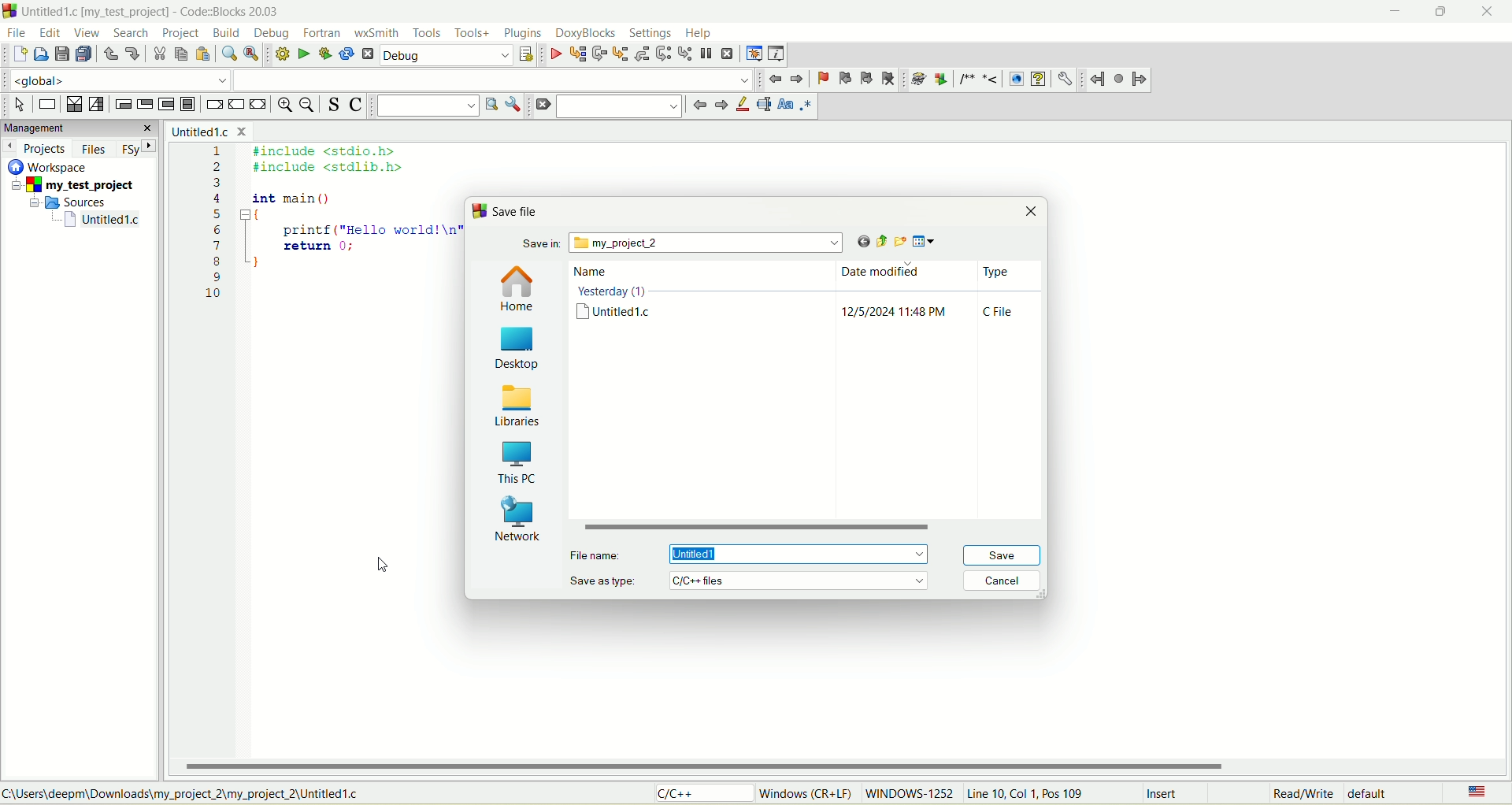 The image size is (1512, 805). Describe the element at coordinates (213, 106) in the screenshot. I see `break instruction` at that location.